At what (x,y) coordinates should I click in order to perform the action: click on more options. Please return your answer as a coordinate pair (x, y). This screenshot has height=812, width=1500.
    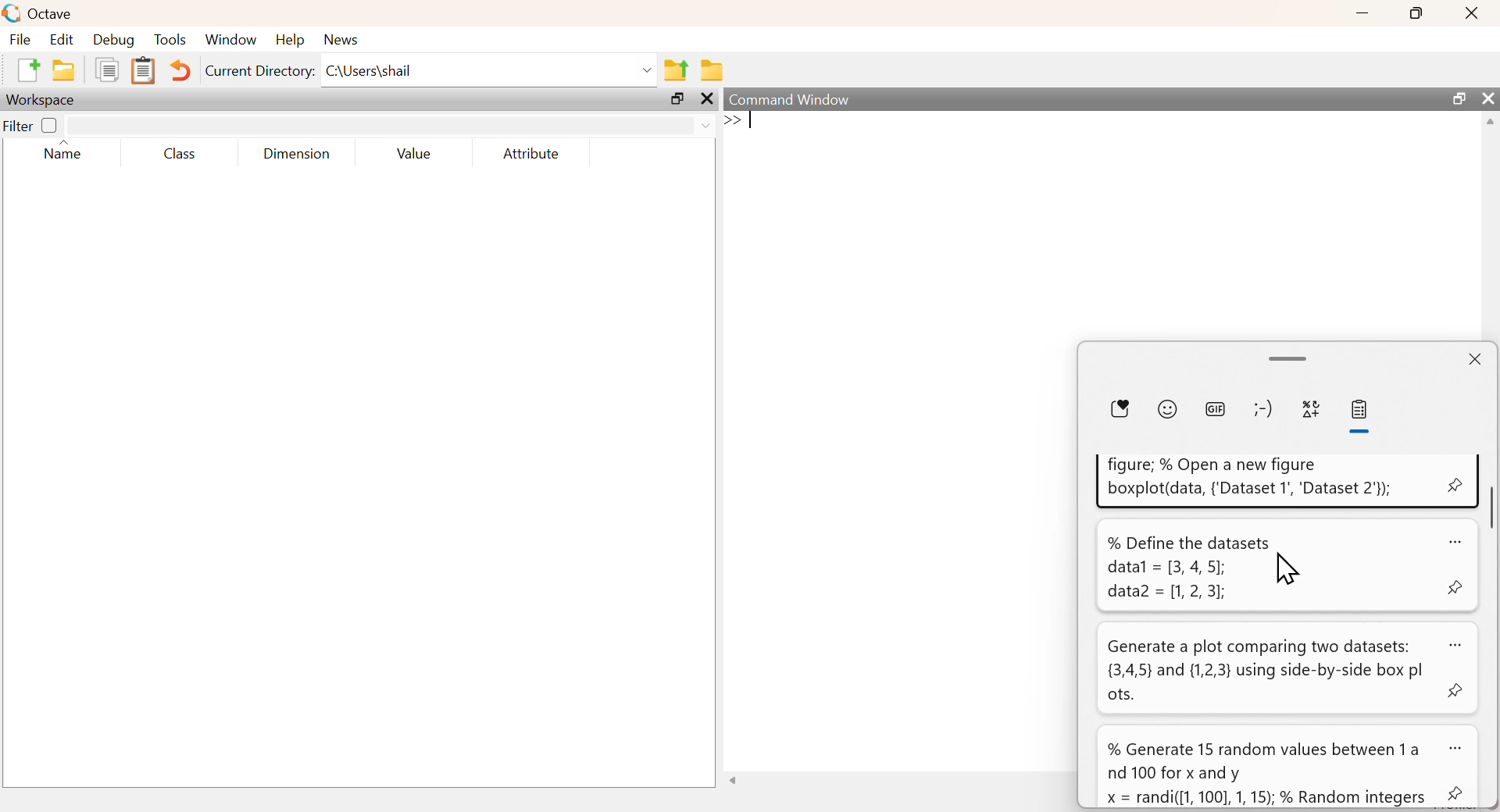
    Looking at the image, I should click on (1460, 748).